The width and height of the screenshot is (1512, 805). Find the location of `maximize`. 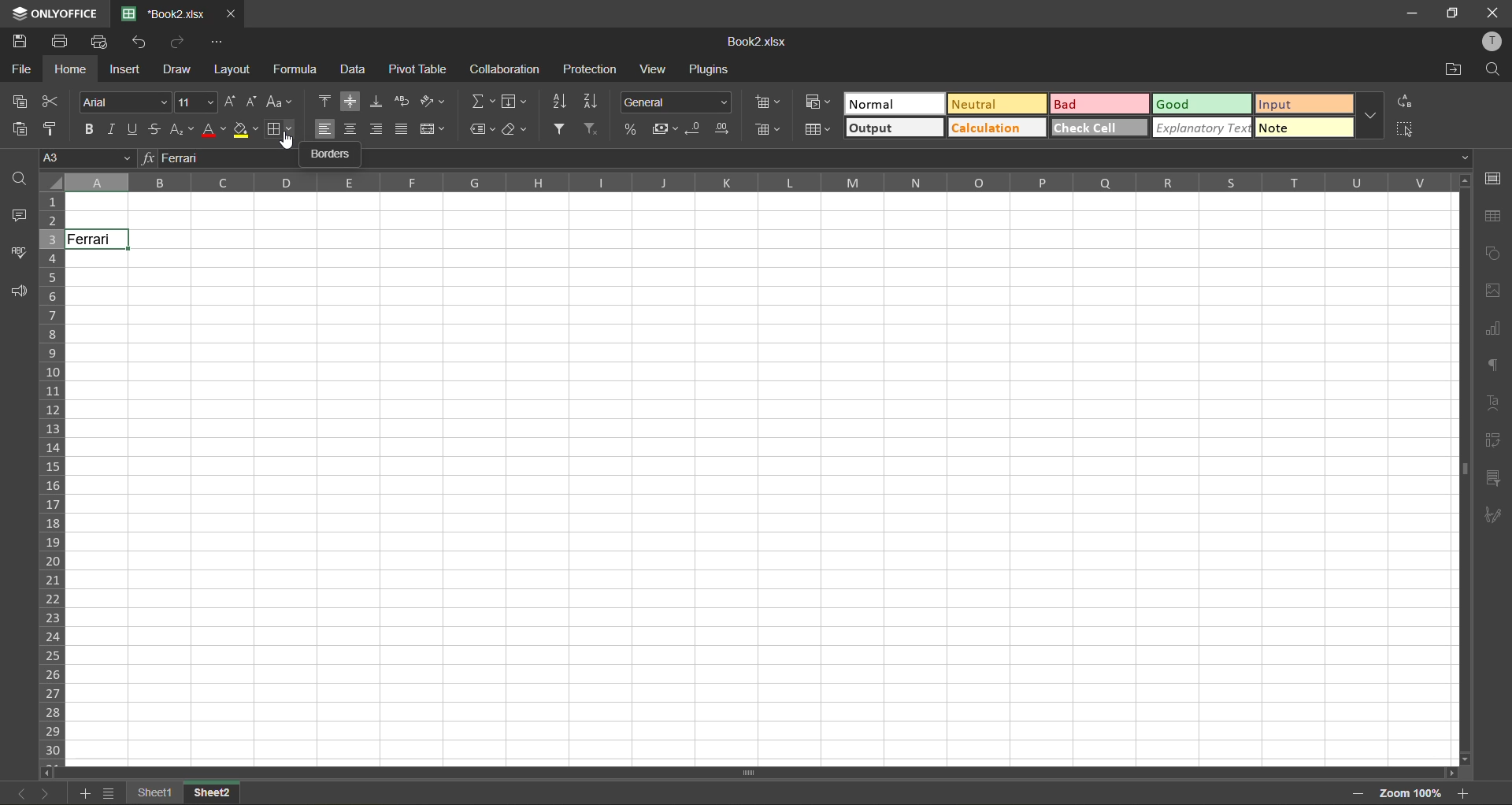

maximize is located at coordinates (1453, 14).